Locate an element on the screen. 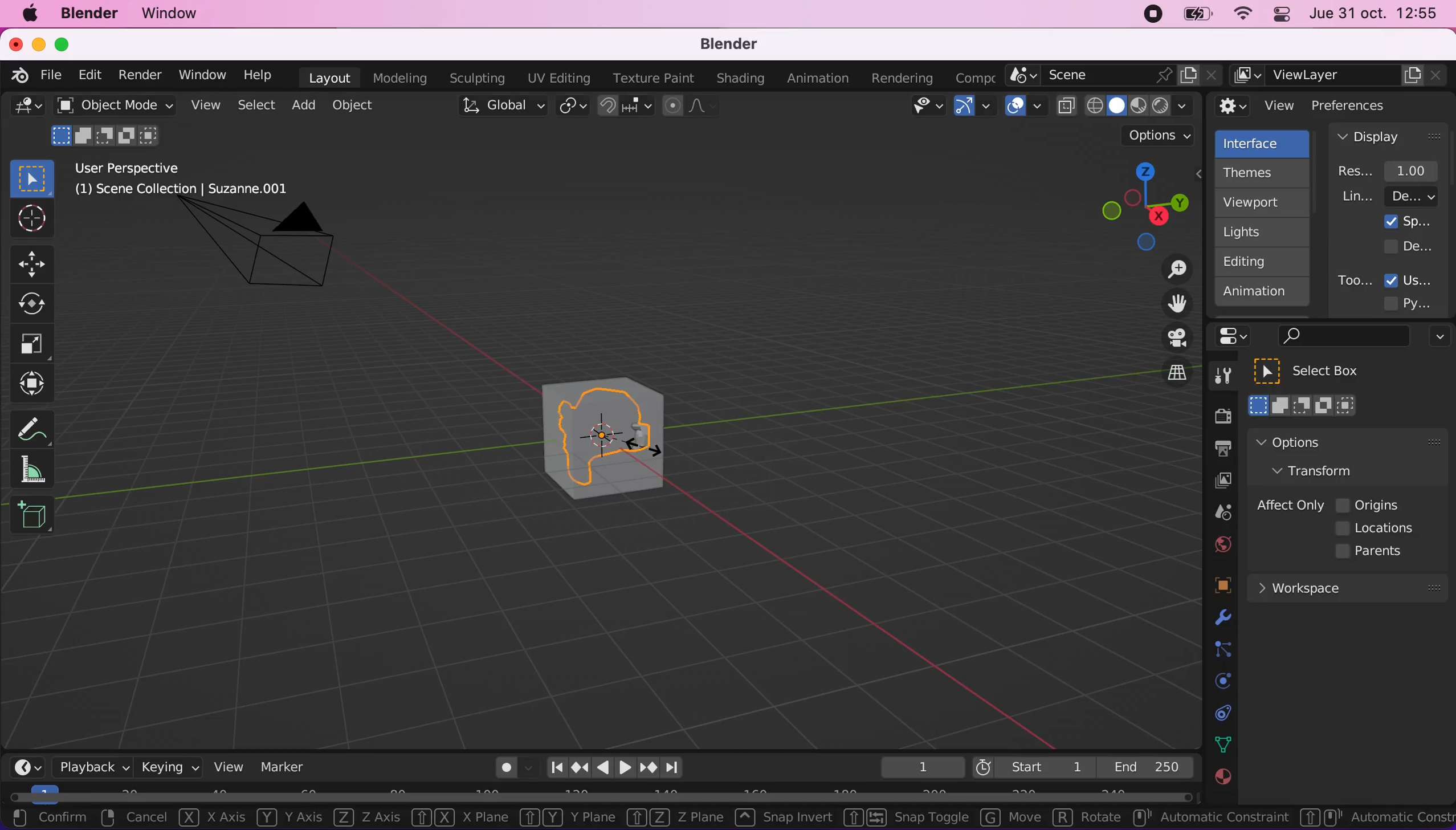 Image resolution: width=1456 pixels, height=830 pixels. play is located at coordinates (615, 768).